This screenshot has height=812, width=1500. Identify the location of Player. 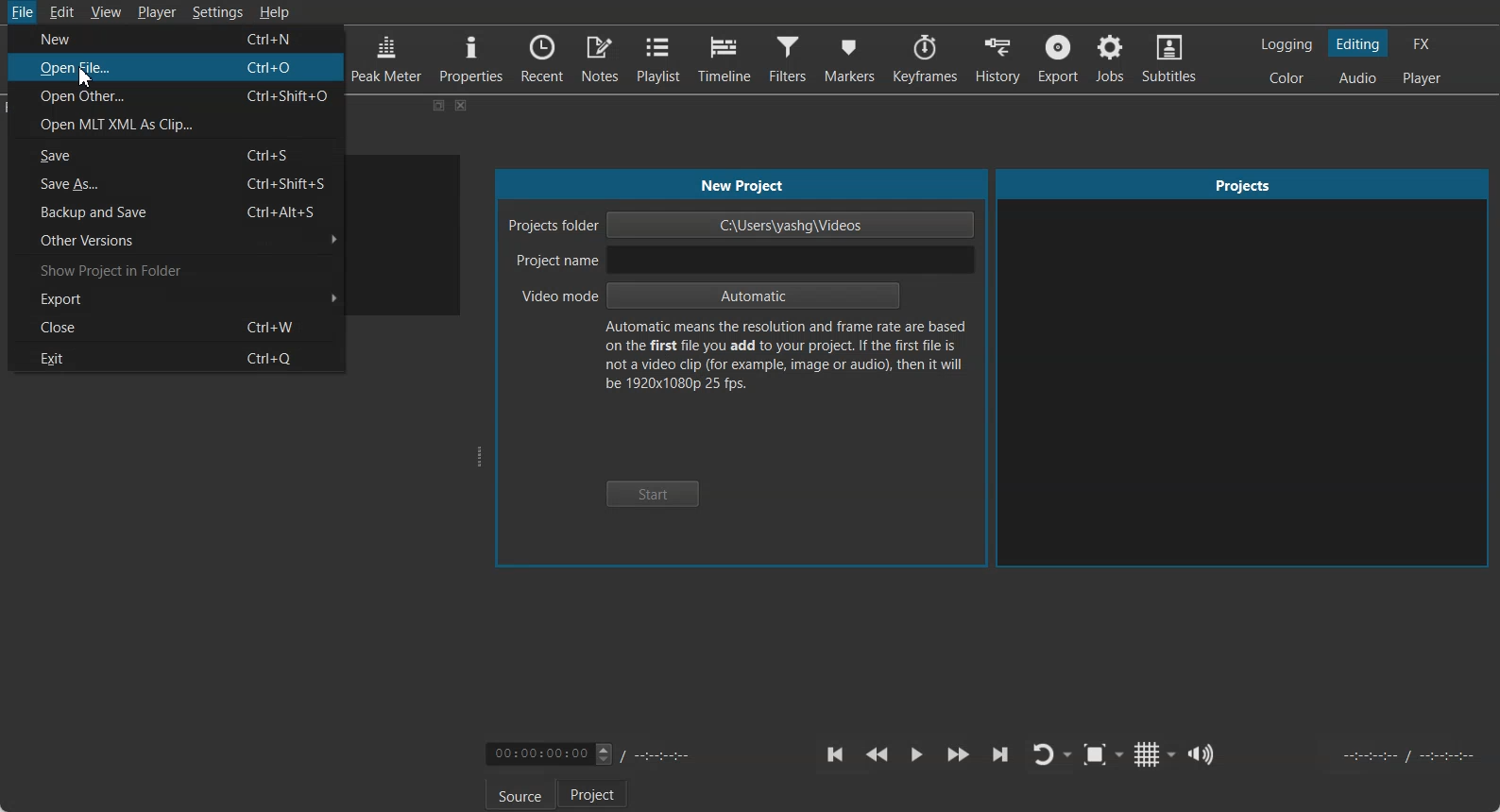
(158, 12).